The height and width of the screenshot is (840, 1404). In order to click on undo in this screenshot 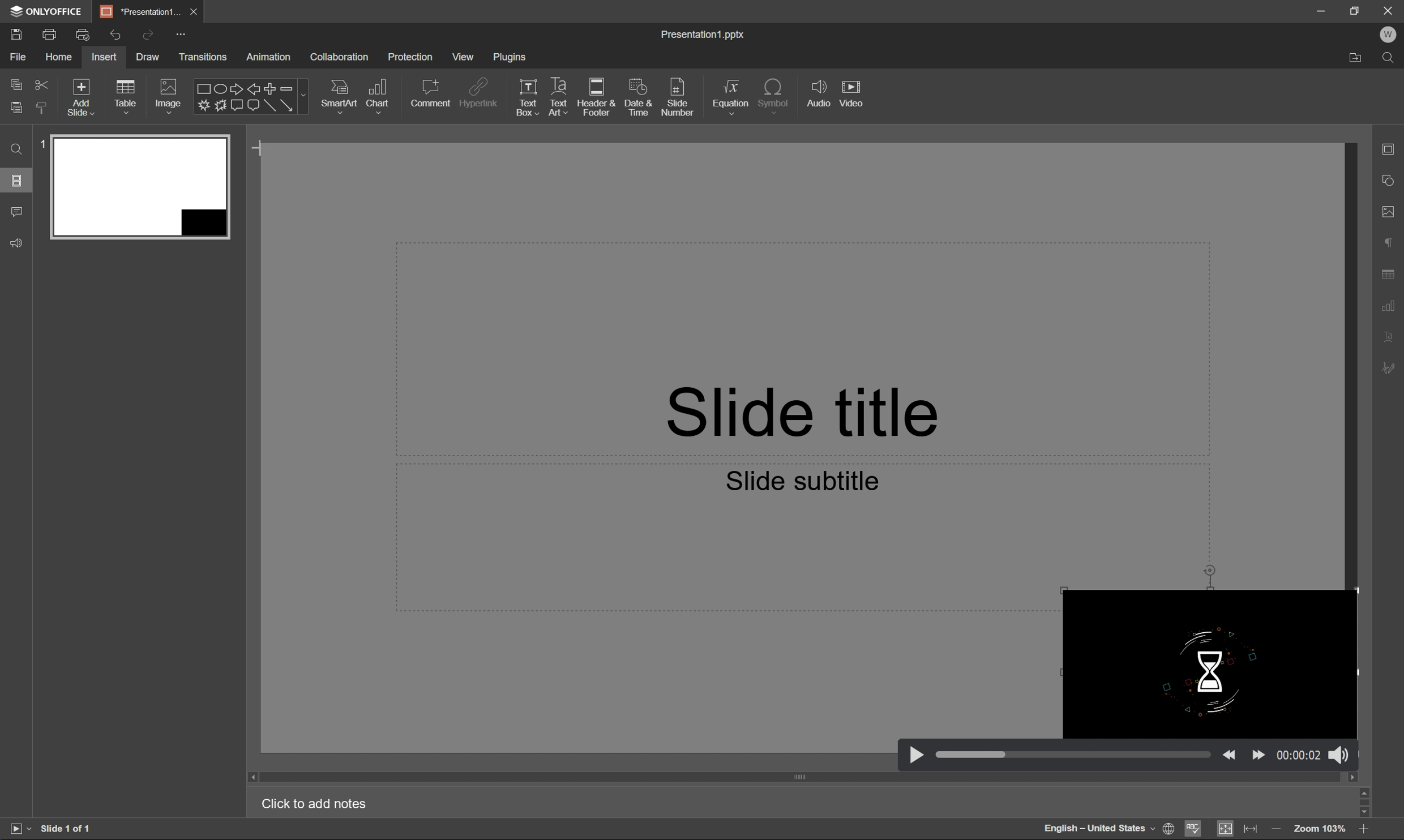, I will do `click(112, 35)`.